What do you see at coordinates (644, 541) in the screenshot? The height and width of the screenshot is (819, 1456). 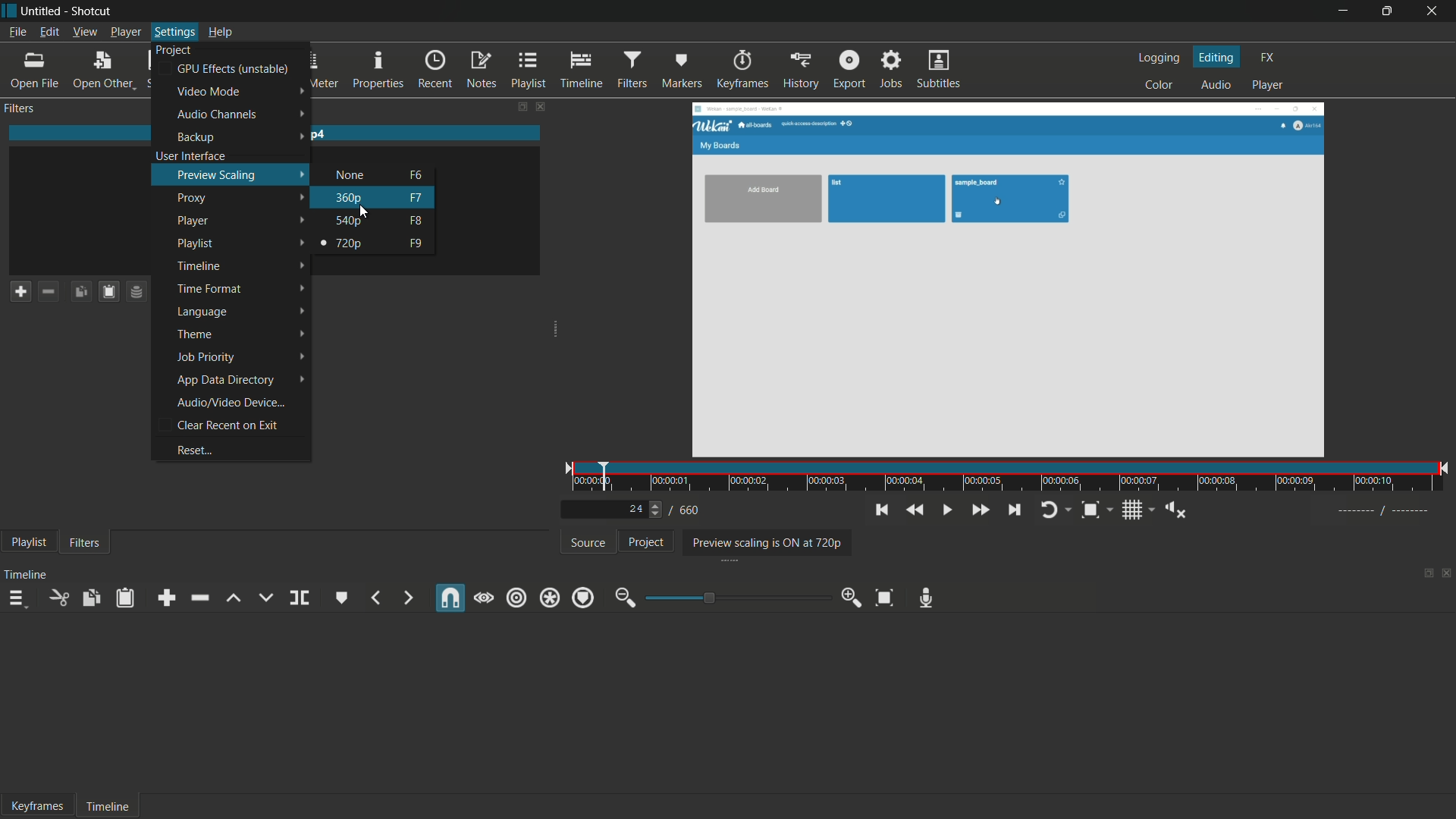 I see `project` at bounding box center [644, 541].